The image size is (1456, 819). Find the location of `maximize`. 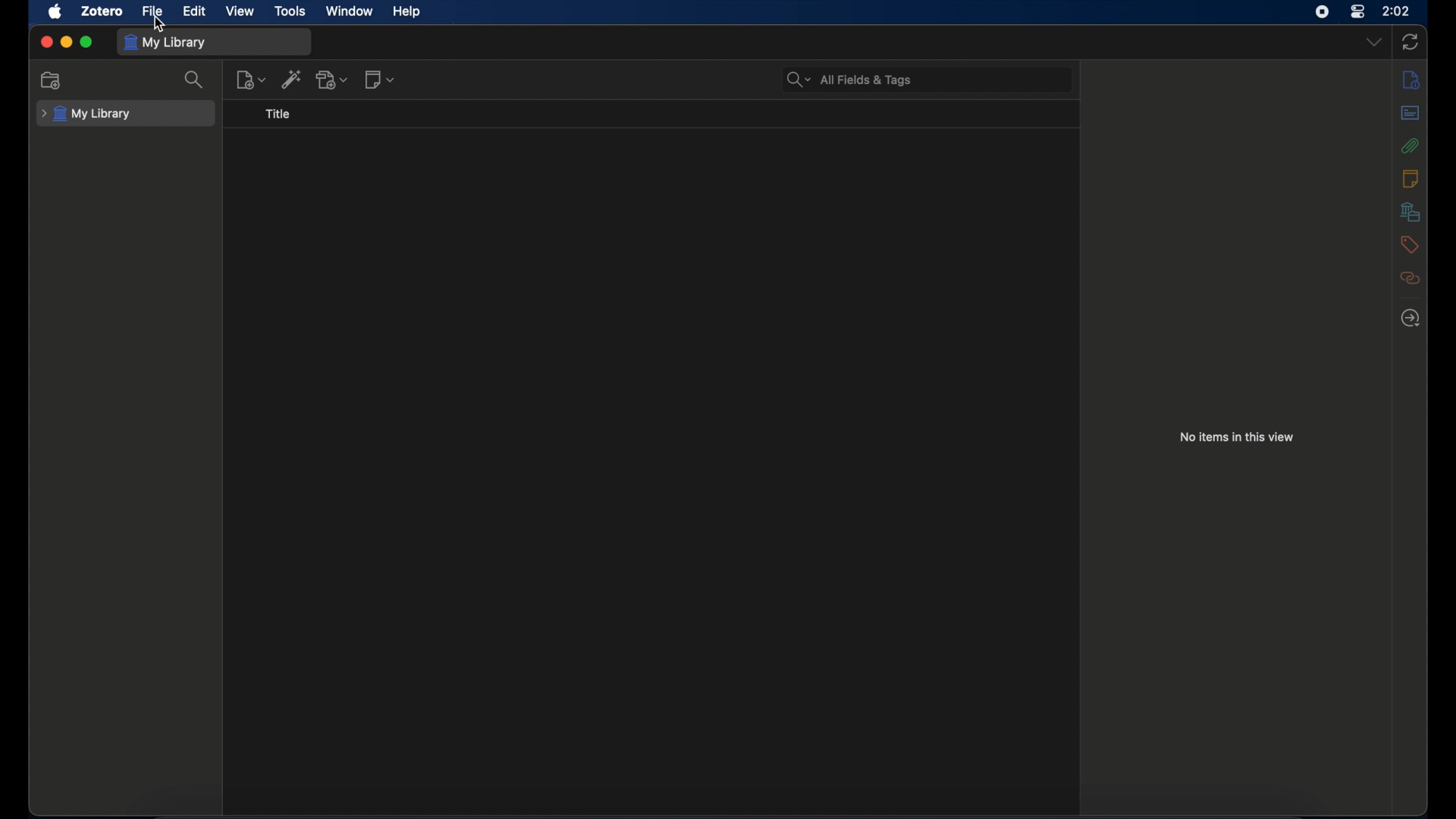

maximize is located at coordinates (87, 42).